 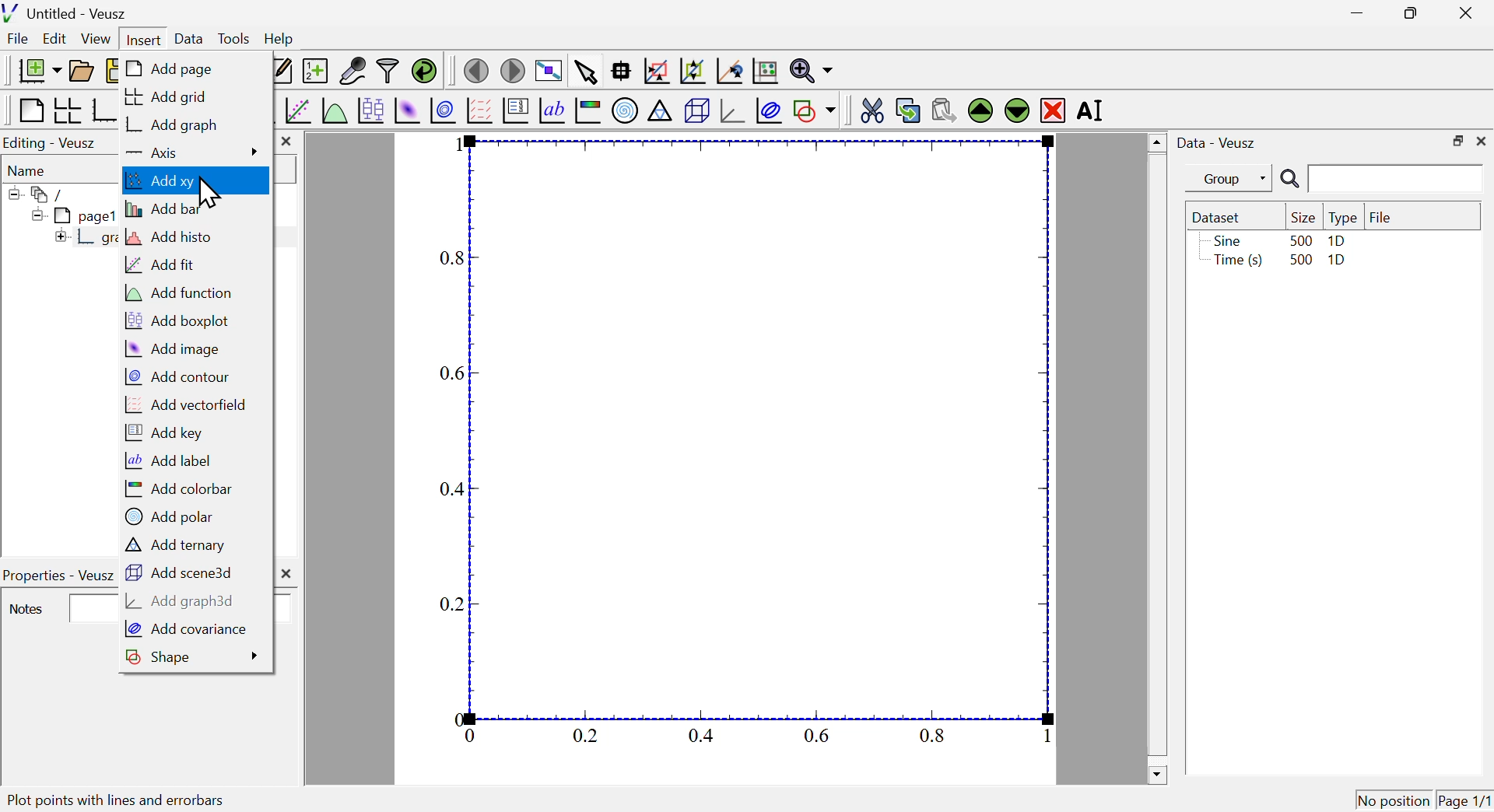 I want to click on 1, so click(x=1039, y=736).